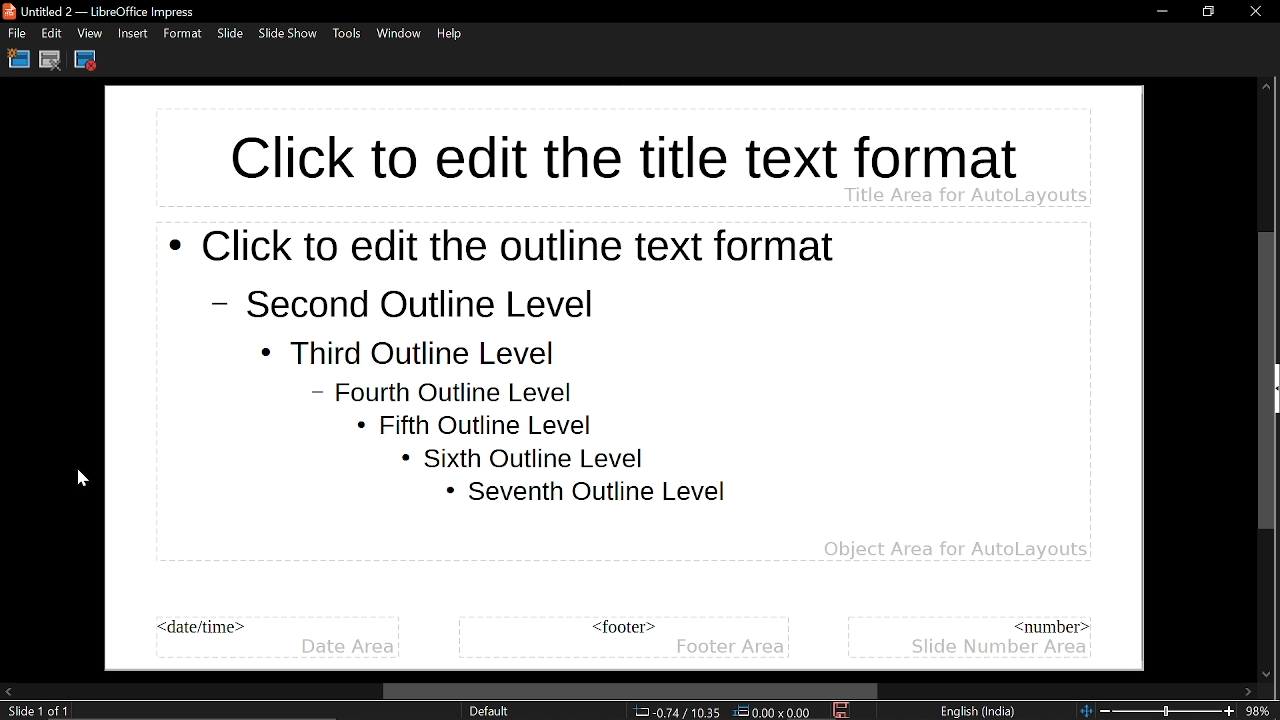  What do you see at coordinates (347, 35) in the screenshot?
I see `Tools` at bounding box center [347, 35].